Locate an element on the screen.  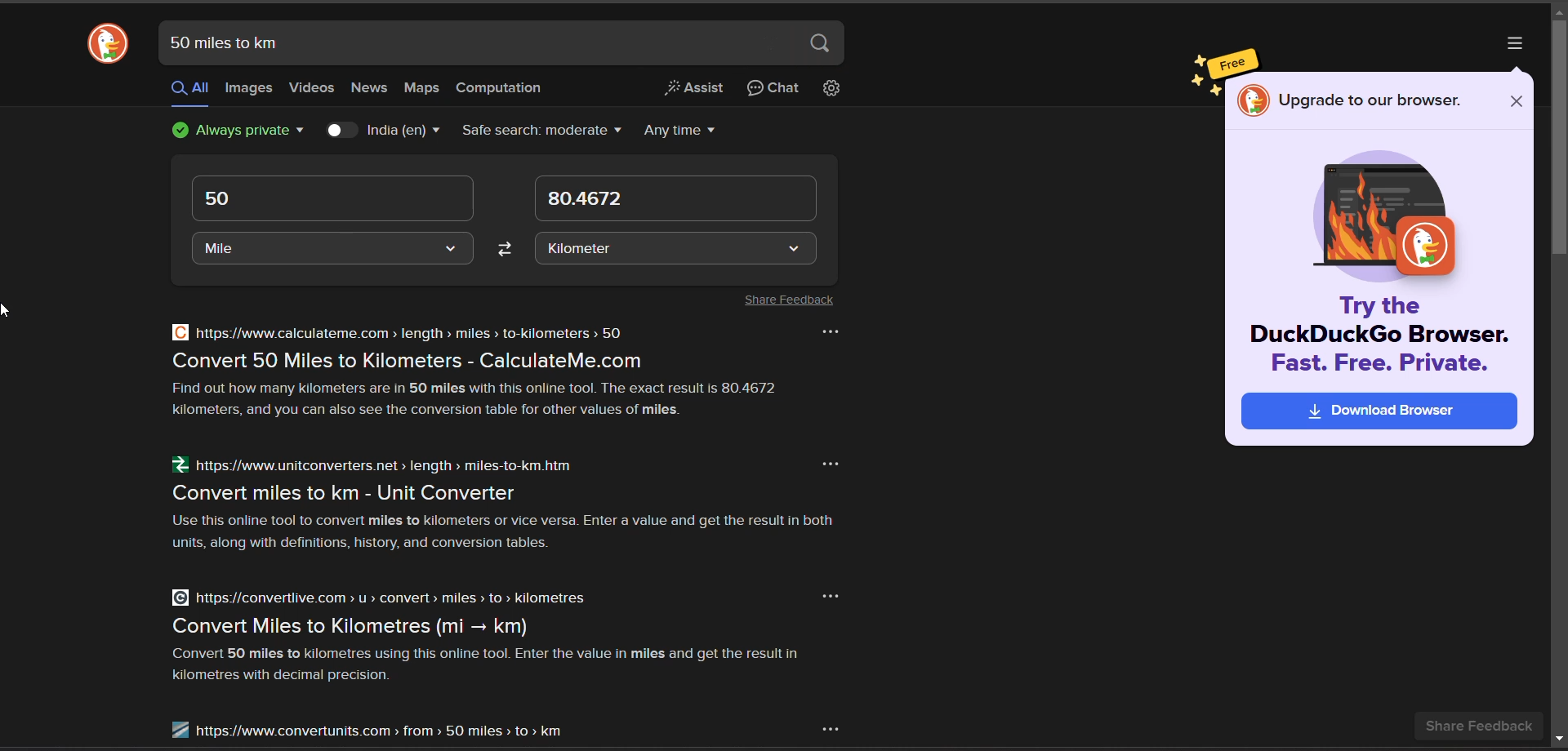
safe search filter is located at coordinates (542, 131).